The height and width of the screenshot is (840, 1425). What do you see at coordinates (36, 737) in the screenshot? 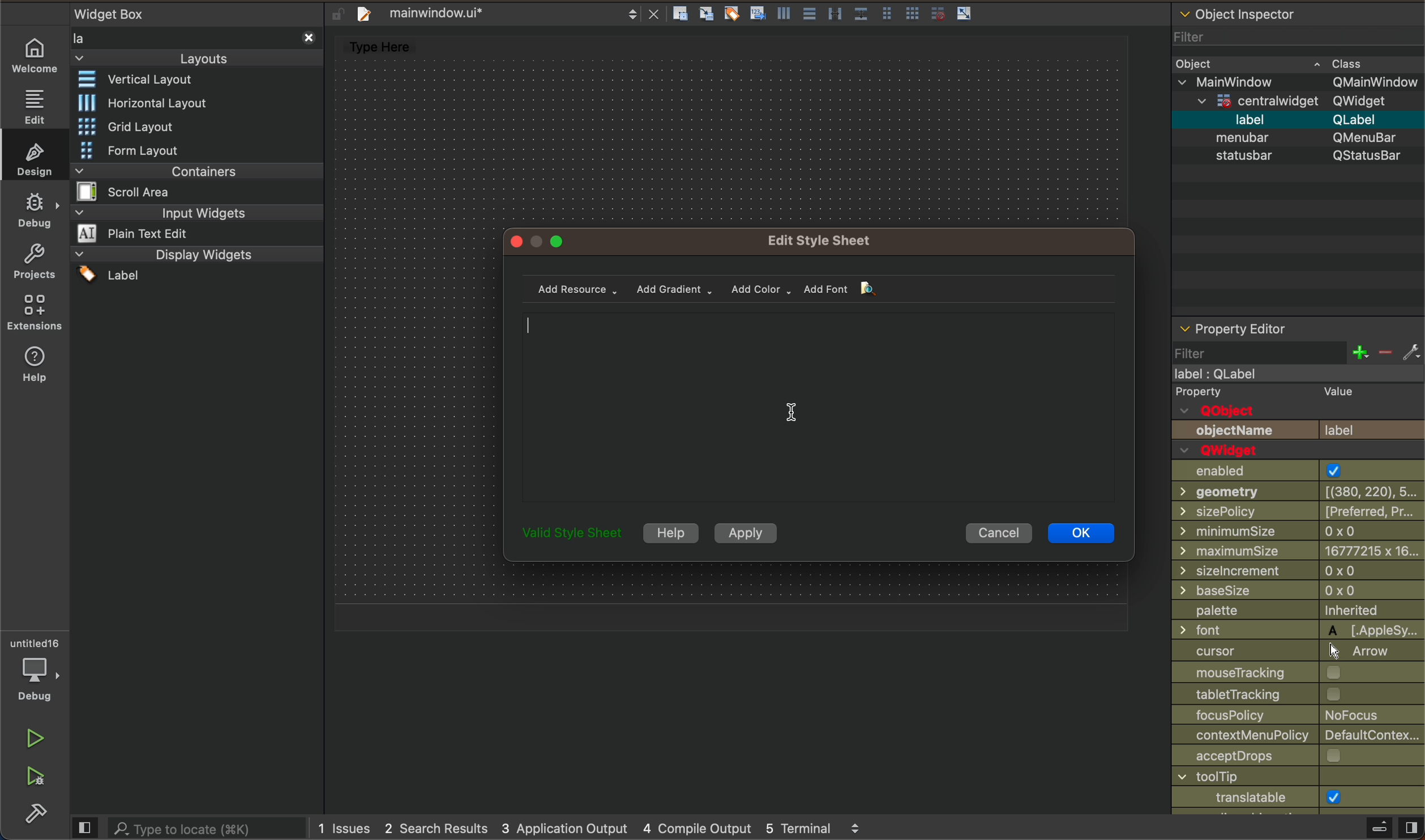
I see `run` at bounding box center [36, 737].